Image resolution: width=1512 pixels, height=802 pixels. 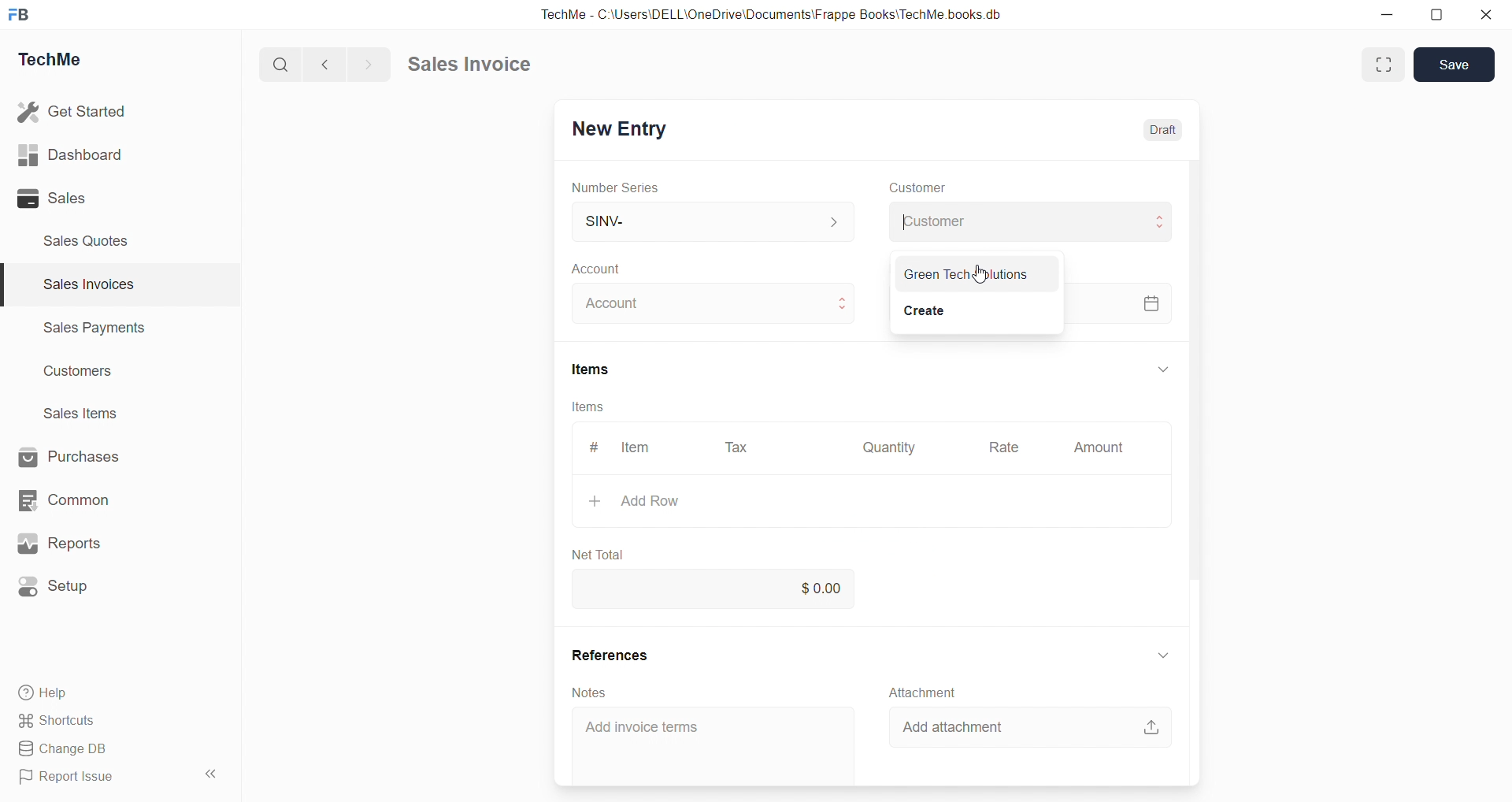 I want to click on resize, so click(x=1436, y=16).